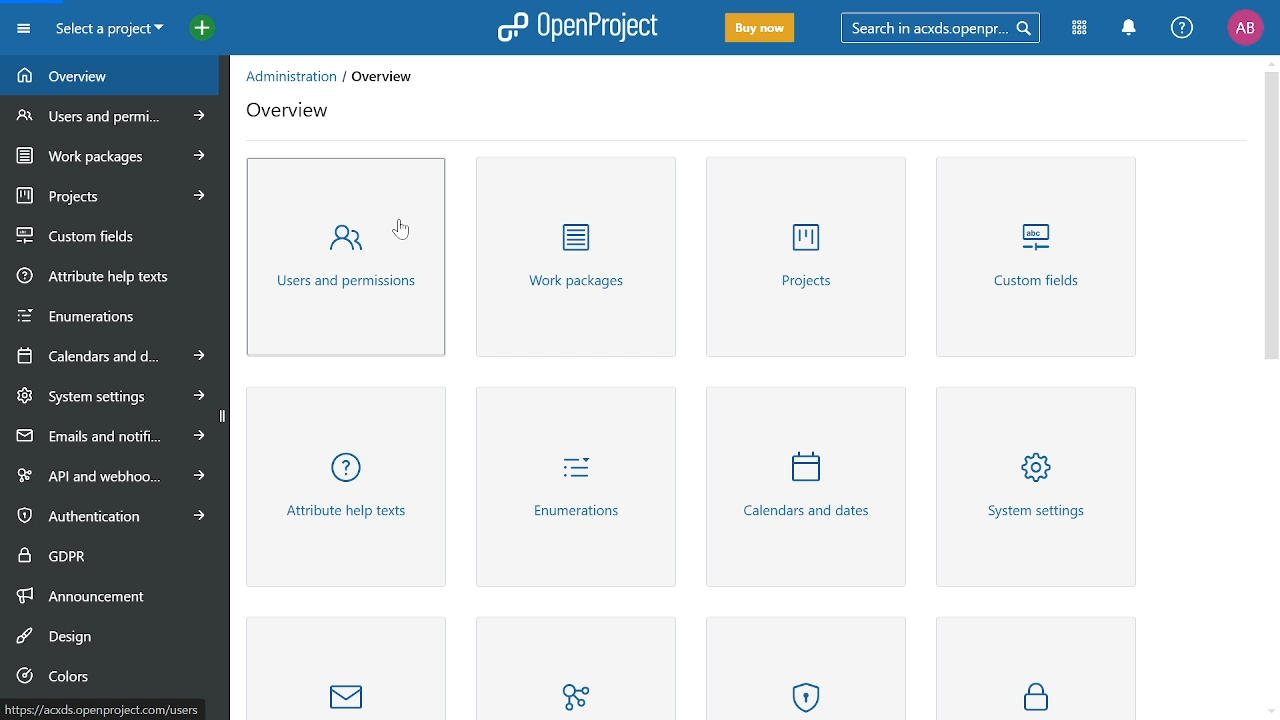  I want to click on Move down, so click(1270, 713).